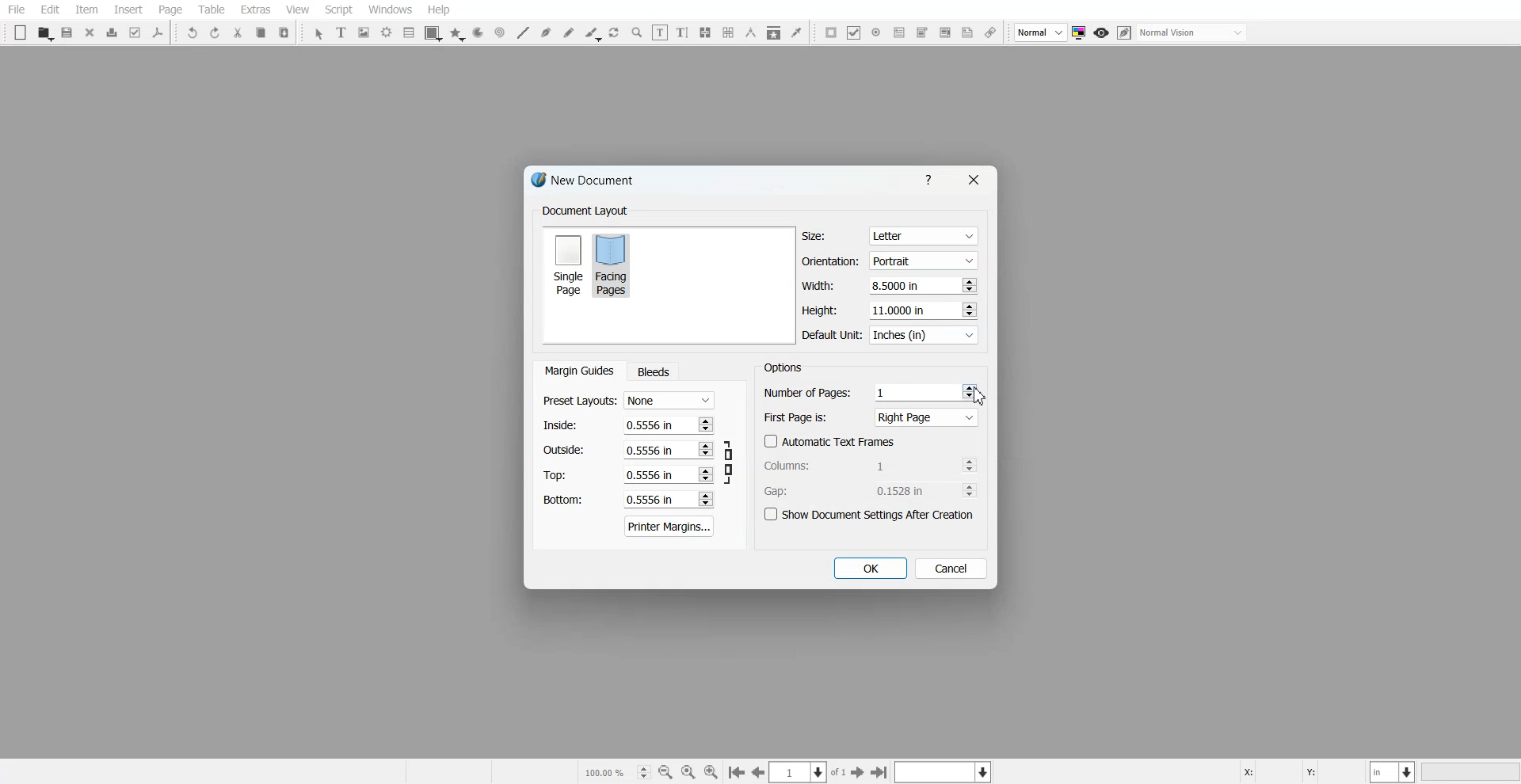 The width and height of the screenshot is (1521, 784). Describe the element at coordinates (567, 264) in the screenshot. I see `Single Page` at that location.